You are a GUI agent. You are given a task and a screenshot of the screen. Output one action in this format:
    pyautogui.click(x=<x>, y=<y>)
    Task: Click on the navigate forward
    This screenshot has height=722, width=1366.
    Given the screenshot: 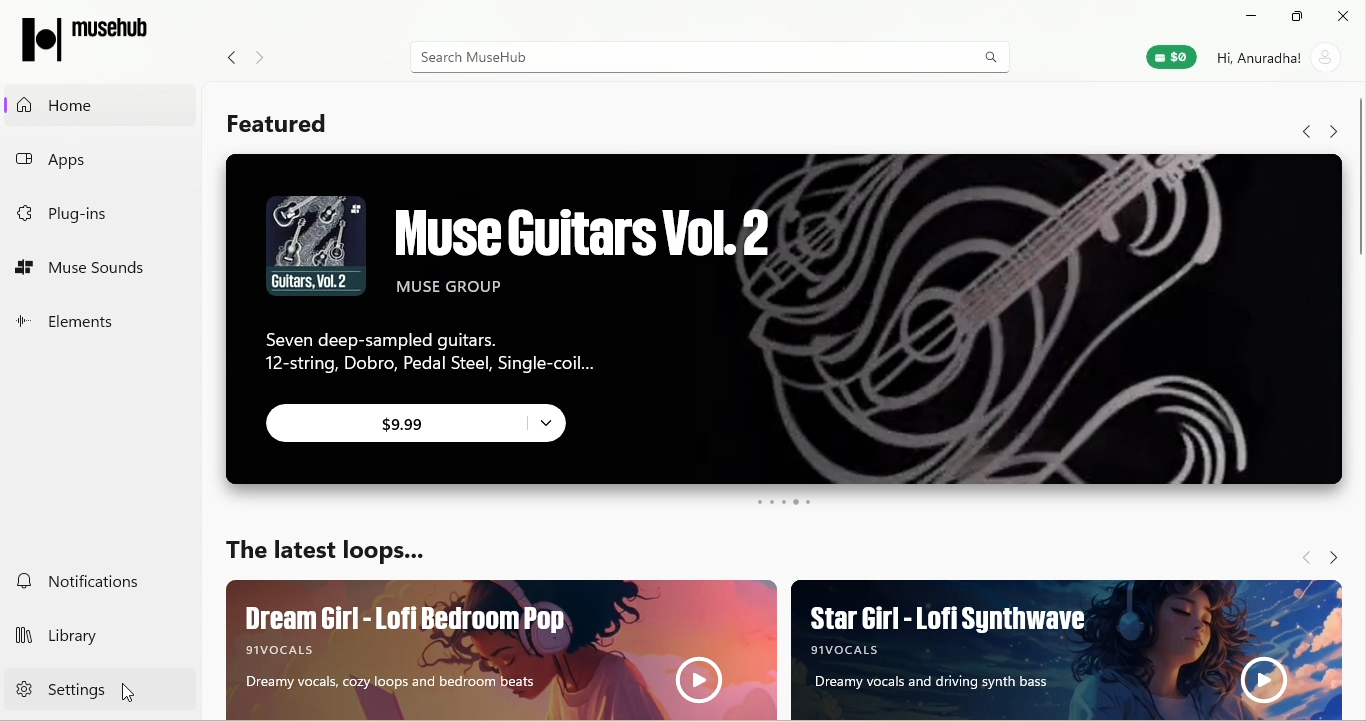 What is the action you would take?
    pyautogui.click(x=1332, y=123)
    